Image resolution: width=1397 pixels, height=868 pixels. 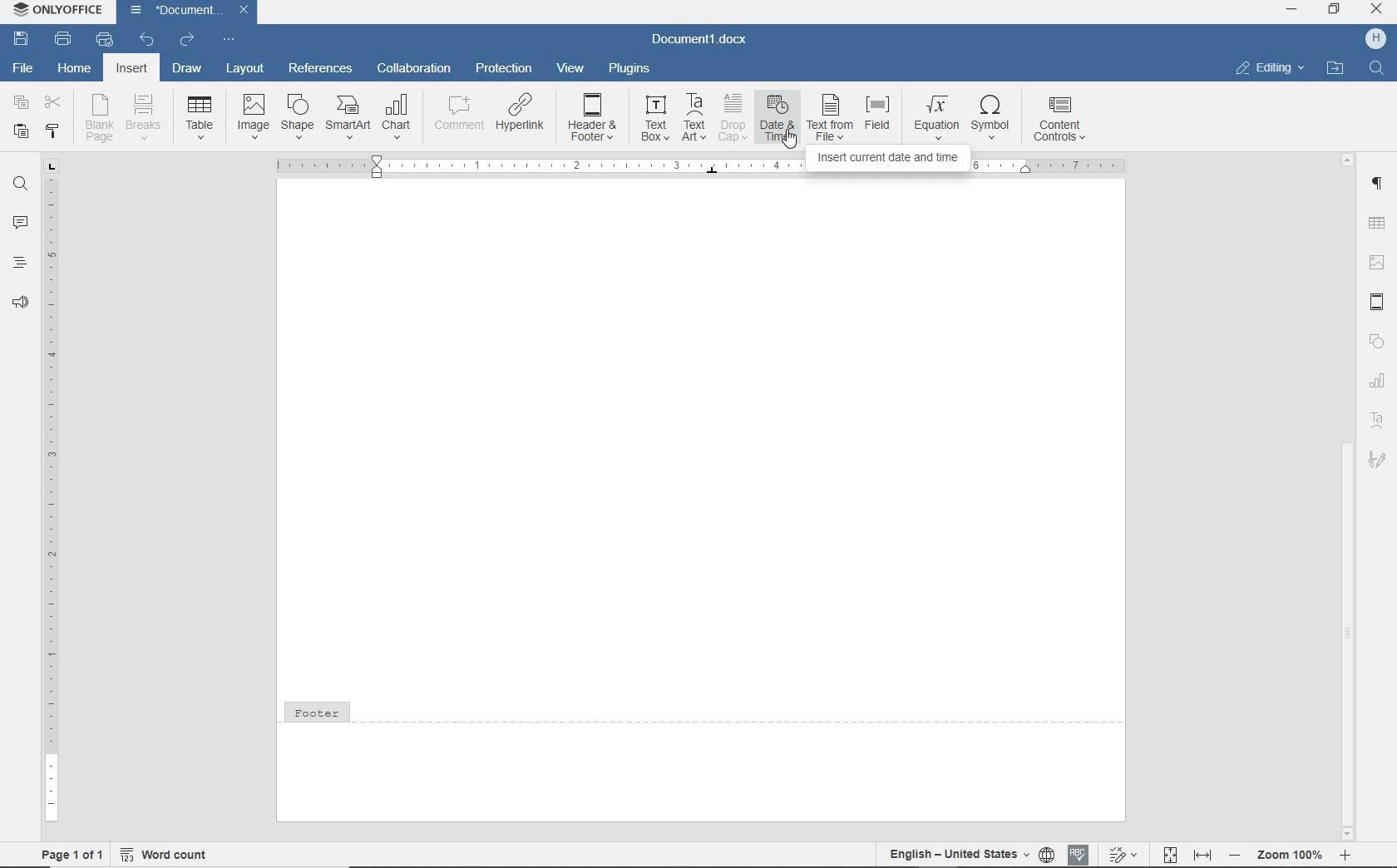 What do you see at coordinates (18, 222) in the screenshot?
I see `comments` at bounding box center [18, 222].